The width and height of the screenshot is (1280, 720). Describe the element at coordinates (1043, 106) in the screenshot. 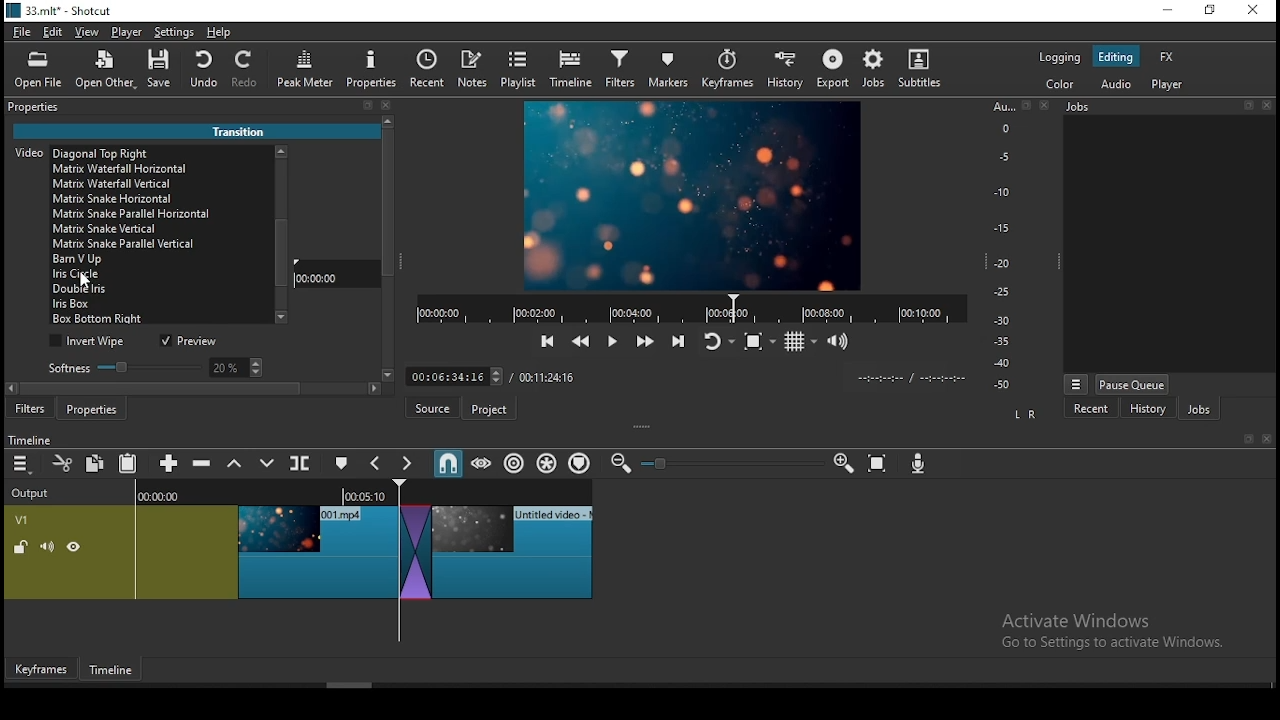

I see `` at that location.